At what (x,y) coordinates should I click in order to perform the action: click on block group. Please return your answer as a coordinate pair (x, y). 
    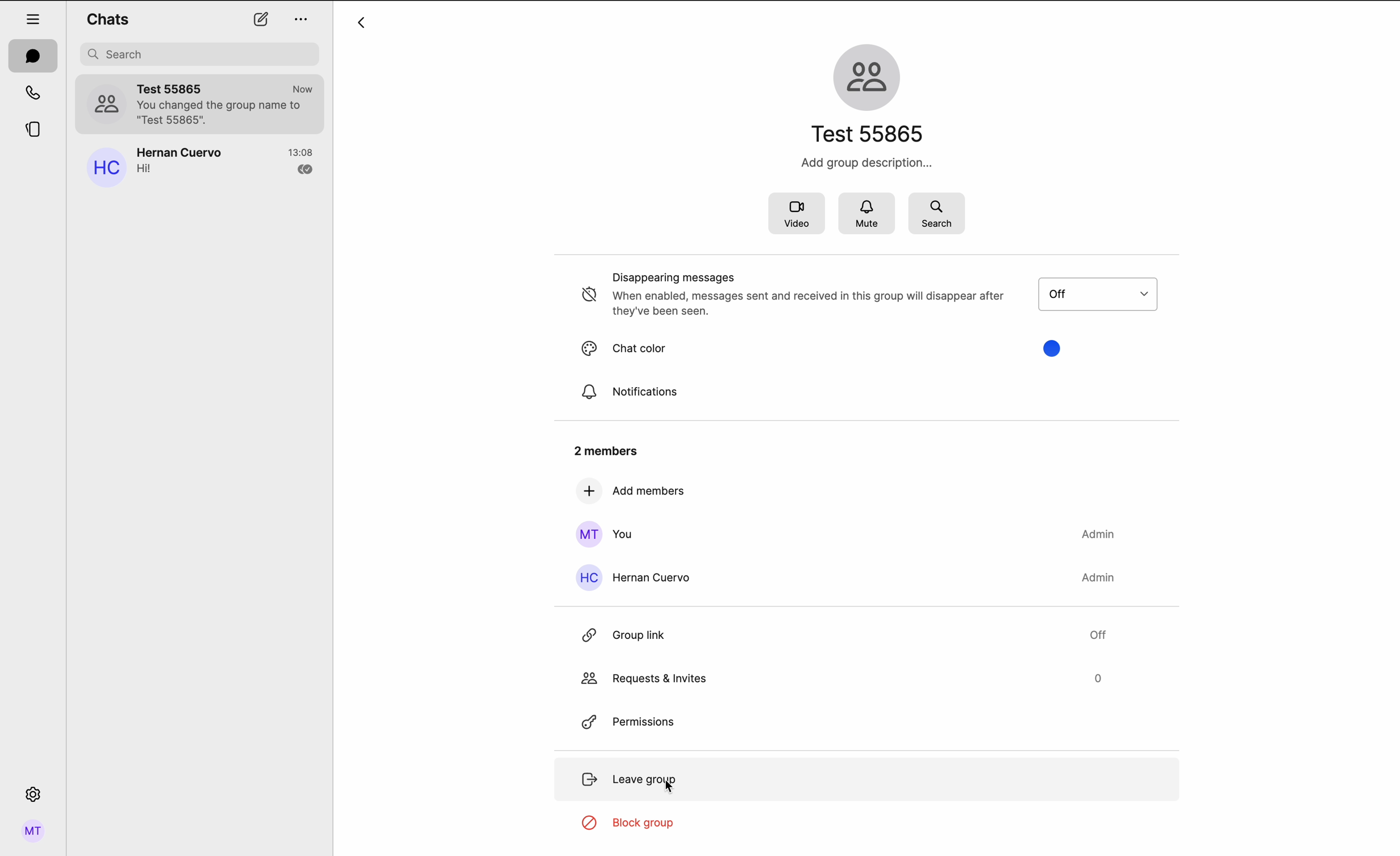
    Looking at the image, I should click on (632, 825).